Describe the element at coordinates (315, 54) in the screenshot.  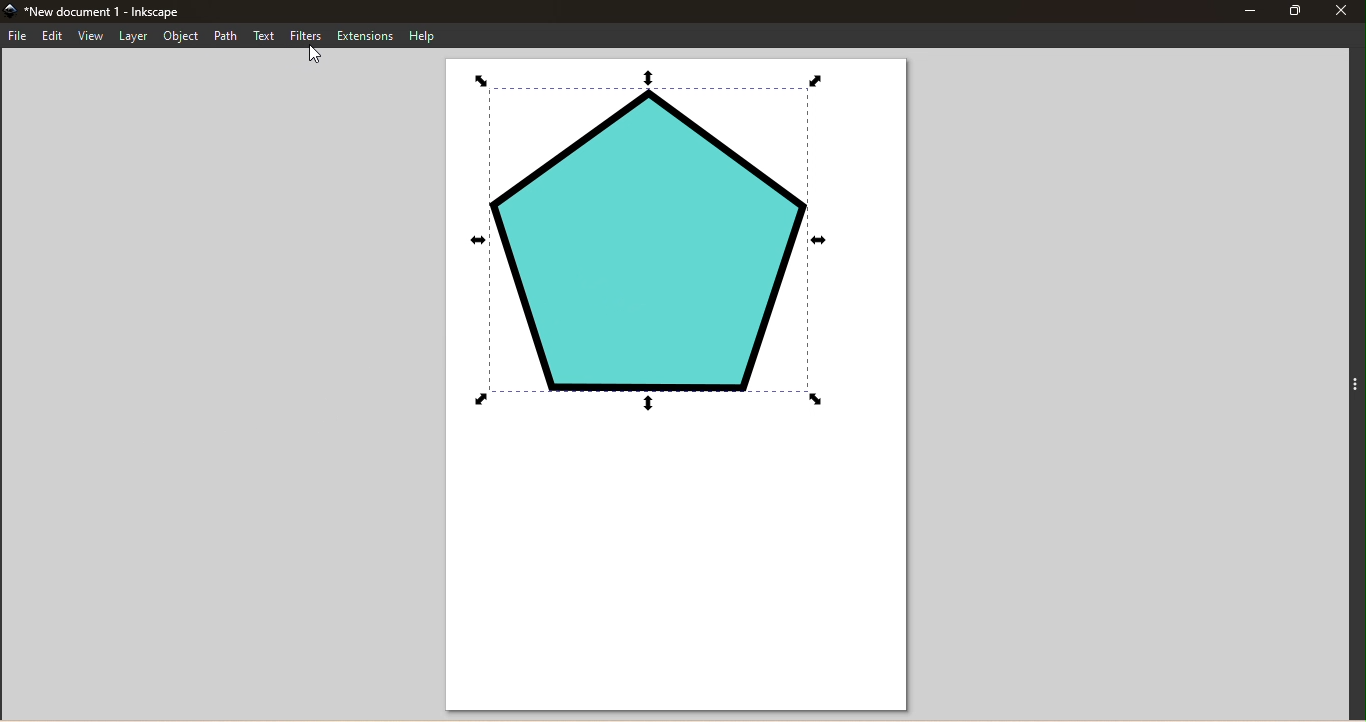
I see `cursor` at that location.